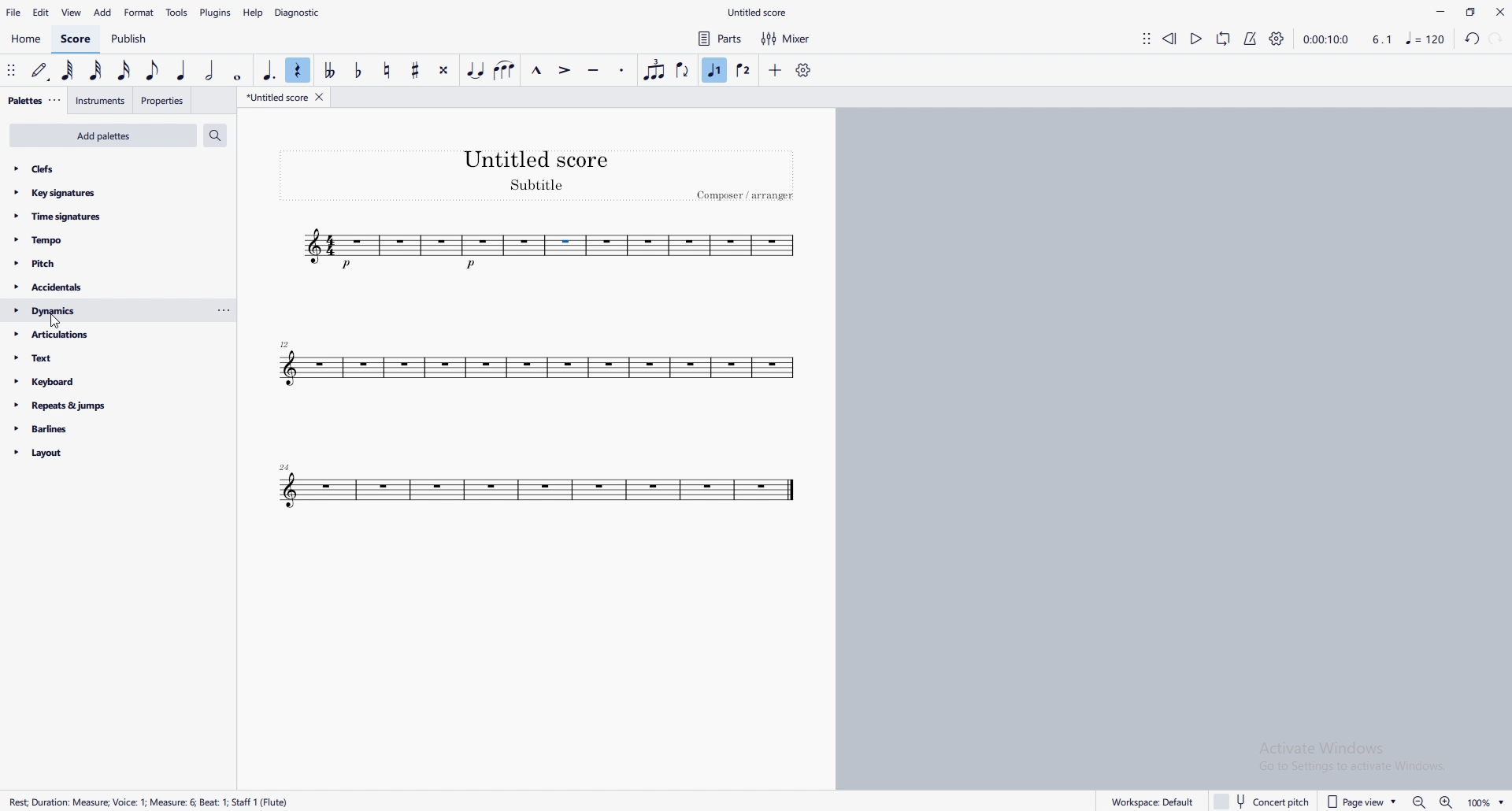 The image size is (1512, 811). Describe the element at coordinates (57, 318) in the screenshot. I see `cursor` at that location.